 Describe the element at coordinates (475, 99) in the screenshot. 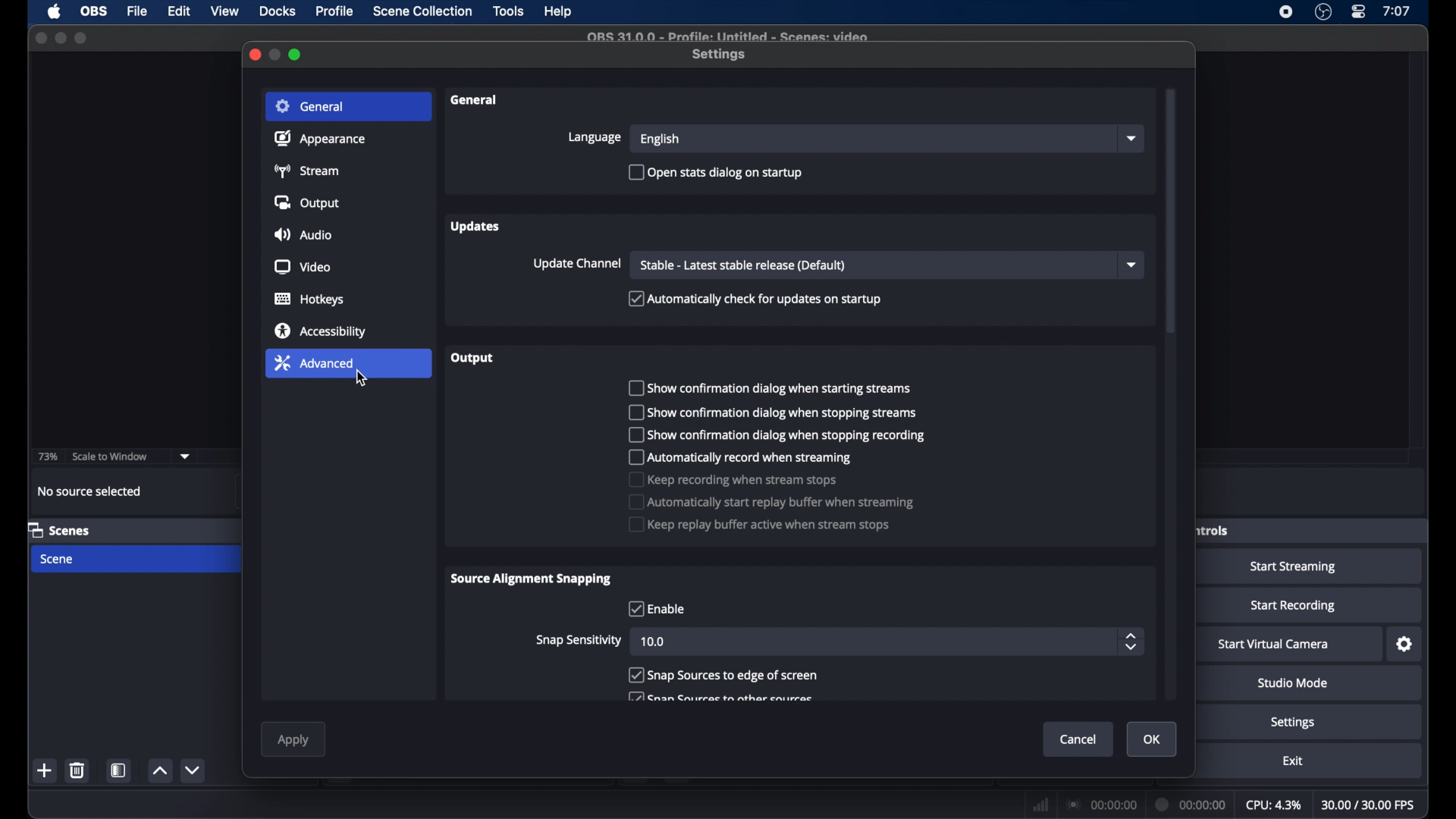

I see `general` at that location.